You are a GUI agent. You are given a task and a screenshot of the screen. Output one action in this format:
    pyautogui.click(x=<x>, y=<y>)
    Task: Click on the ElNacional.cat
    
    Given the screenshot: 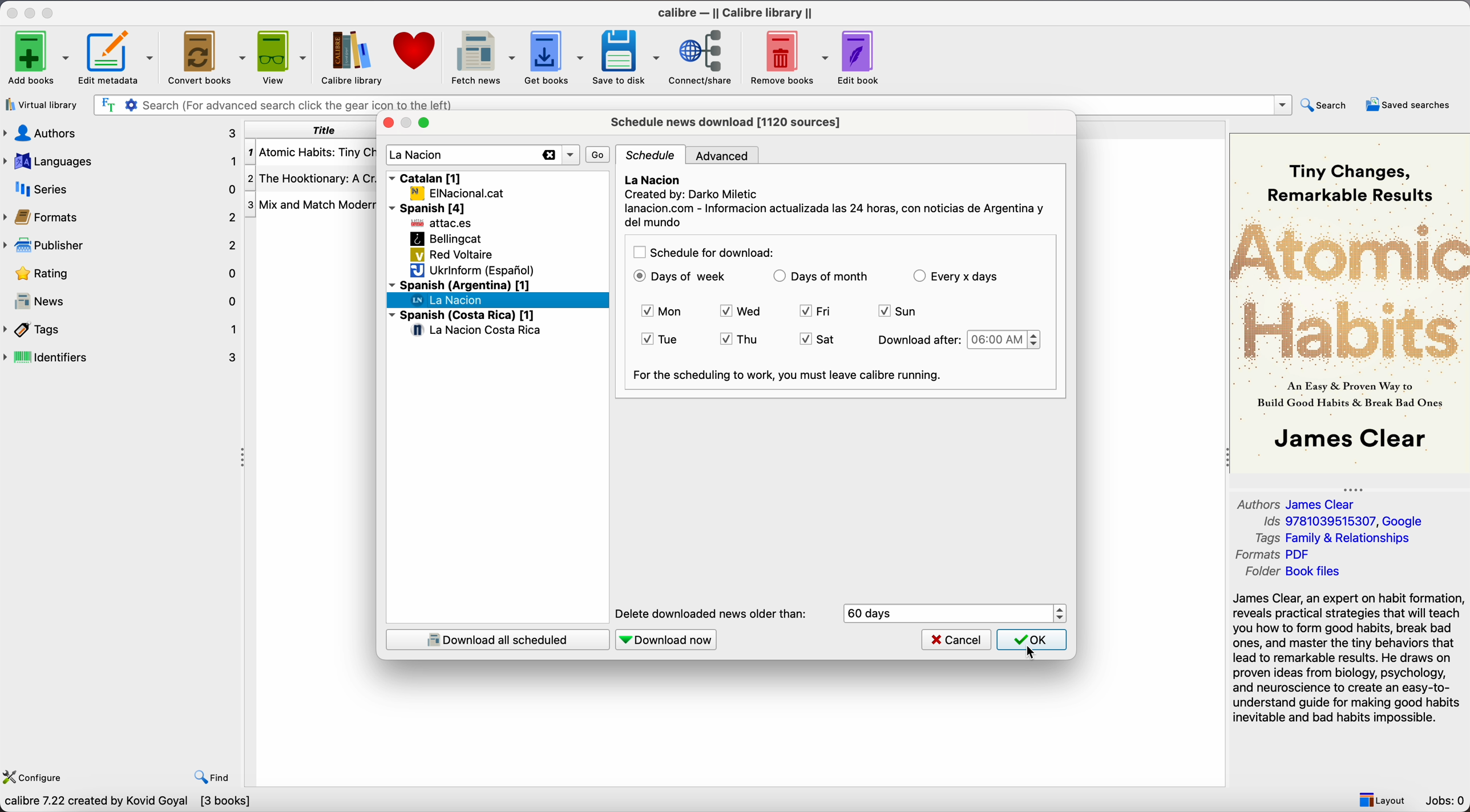 What is the action you would take?
    pyautogui.click(x=457, y=193)
    